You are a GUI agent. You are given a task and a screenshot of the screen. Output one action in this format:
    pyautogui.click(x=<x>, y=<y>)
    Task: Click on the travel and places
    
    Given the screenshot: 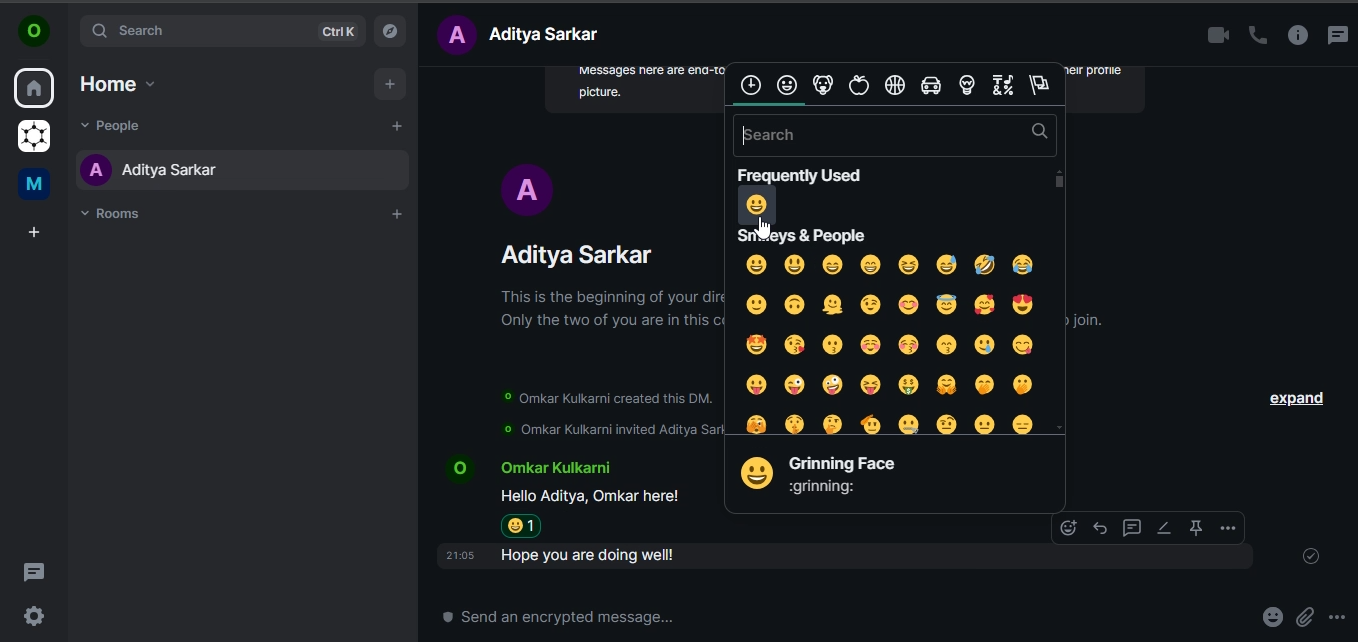 What is the action you would take?
    pyautogui.click(x=929, y=86)
    